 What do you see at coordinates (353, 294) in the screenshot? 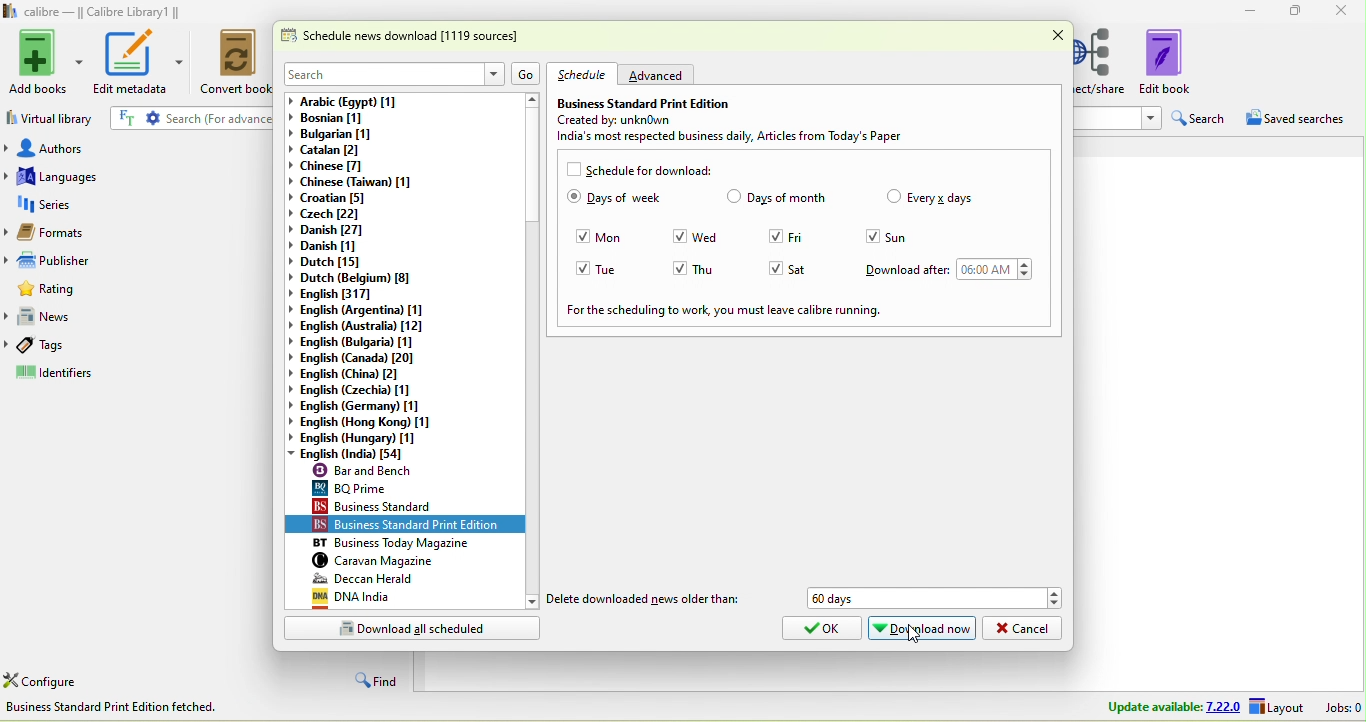
I see `english[317]` at bounding box center [353, 294].